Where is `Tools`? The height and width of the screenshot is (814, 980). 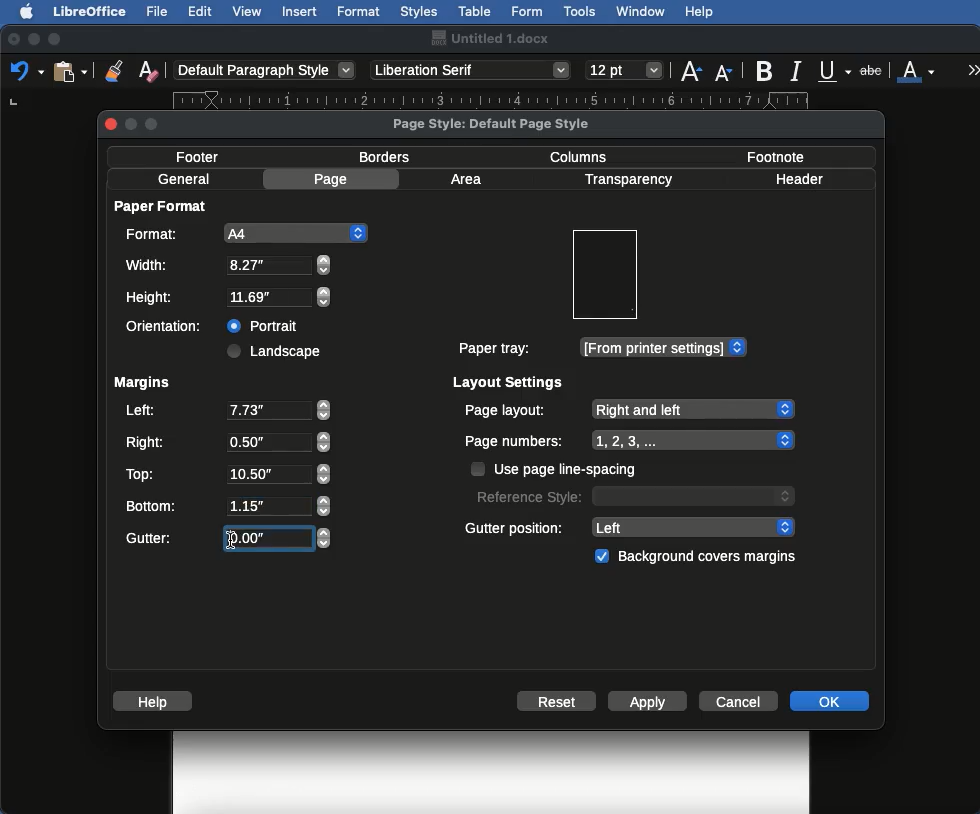
Tools is located at coordinates (581, 12).